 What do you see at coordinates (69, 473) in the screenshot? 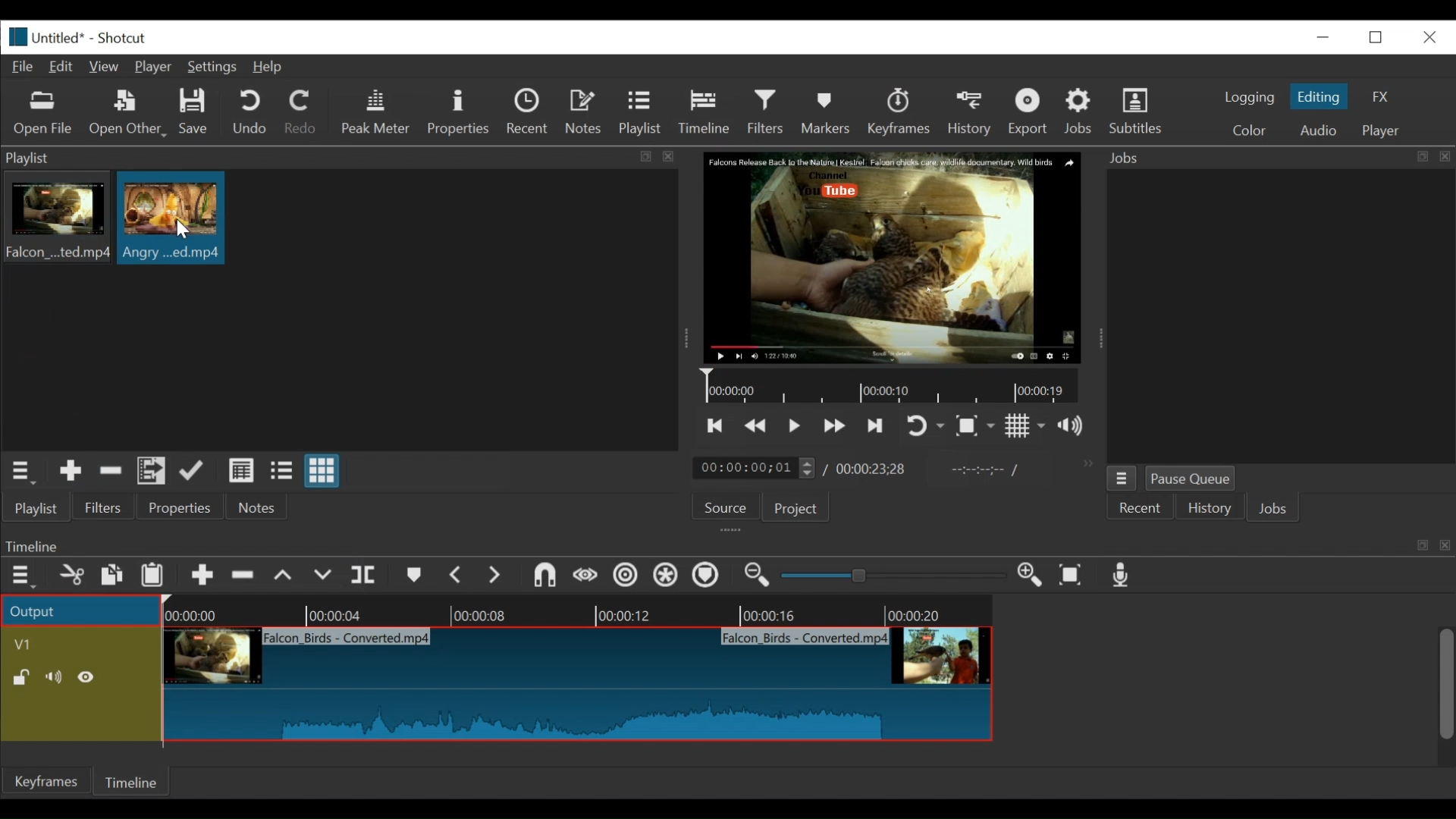
I see `Add the source to the playlist` at bounding box center [69, 473].